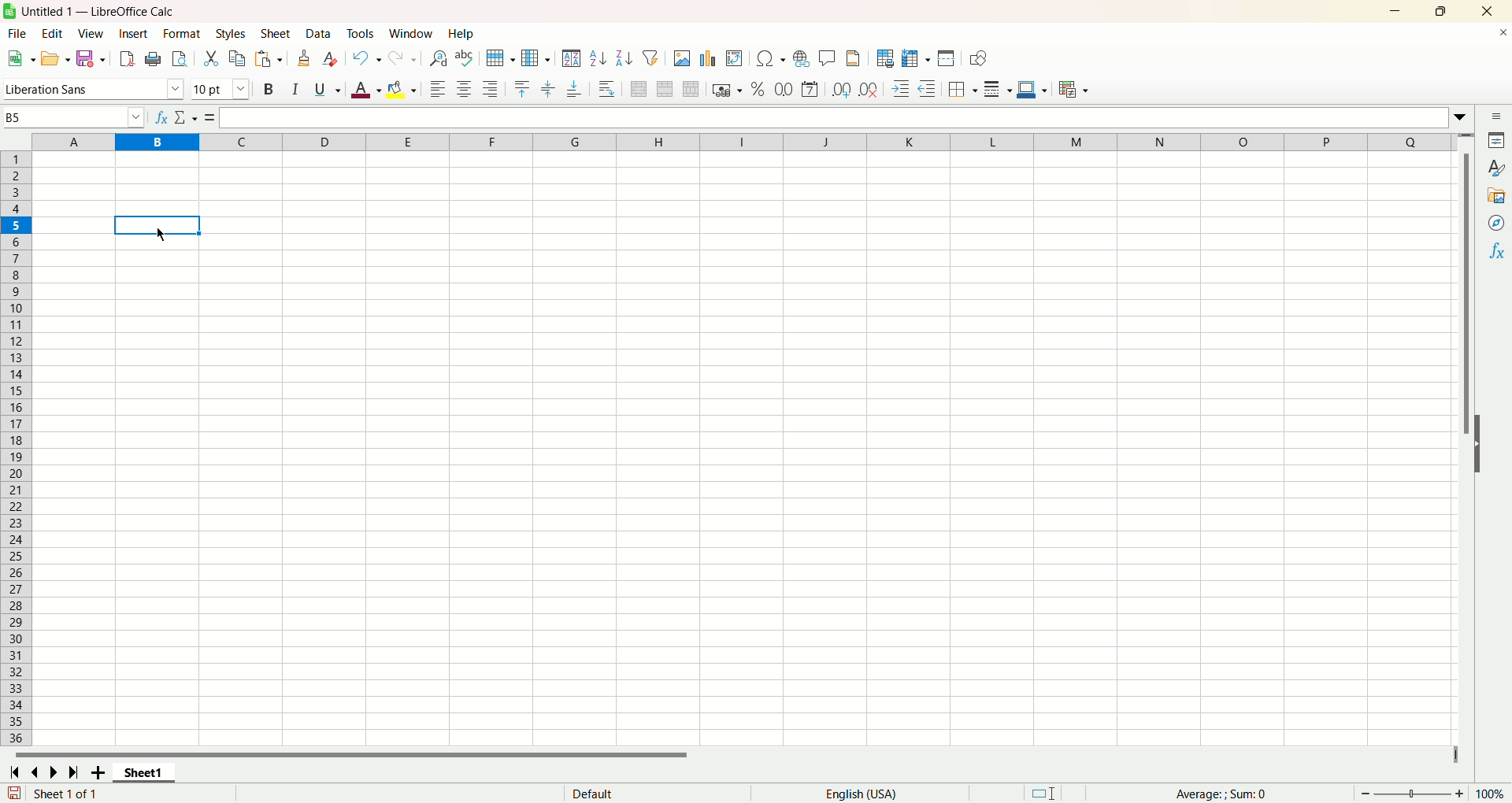 The height and width of the screenshot is (803, 1512). I want to click on view, so click(91, 33).